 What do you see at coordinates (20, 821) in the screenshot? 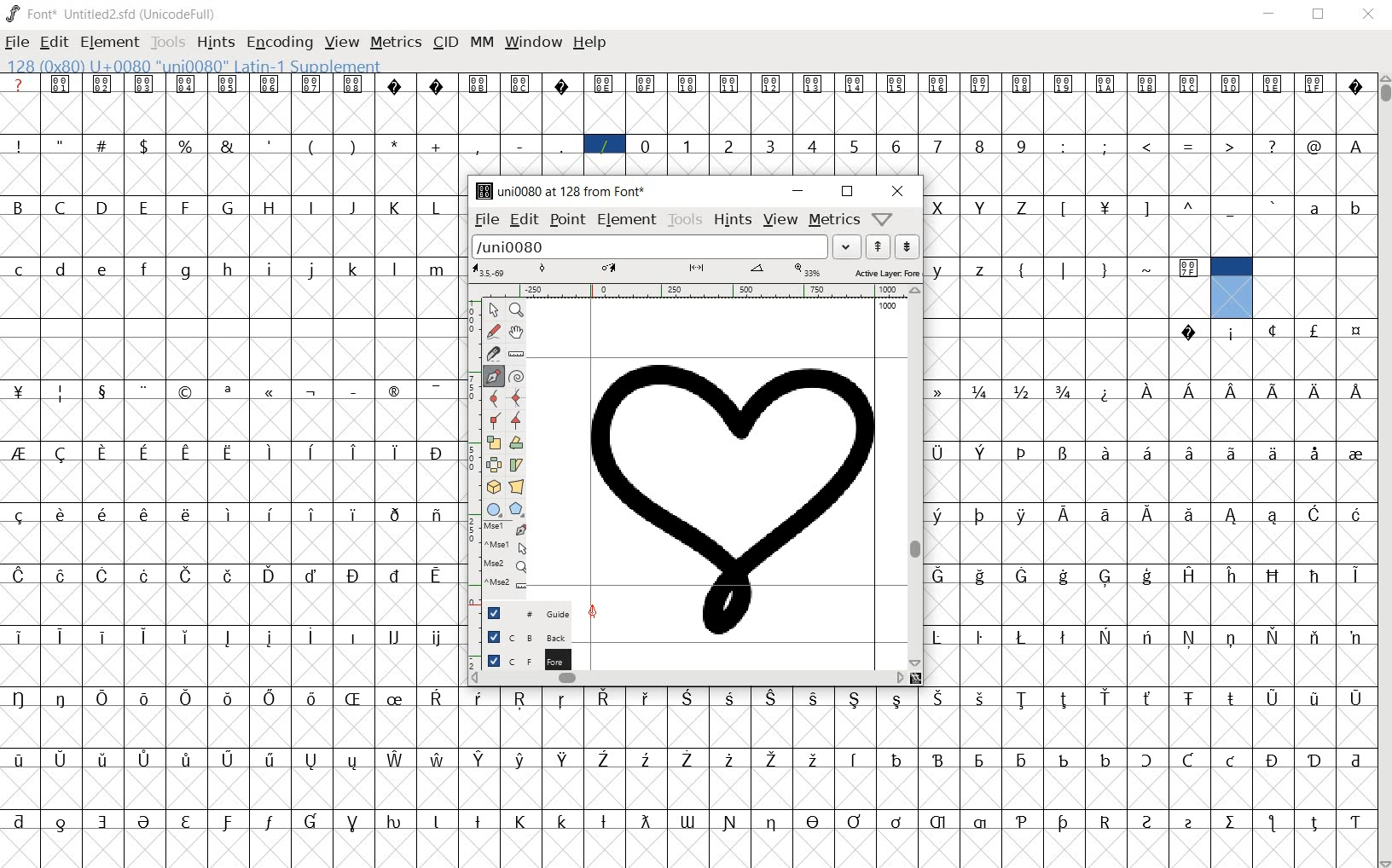
I see `glyph` at bounding box center [20, 821].